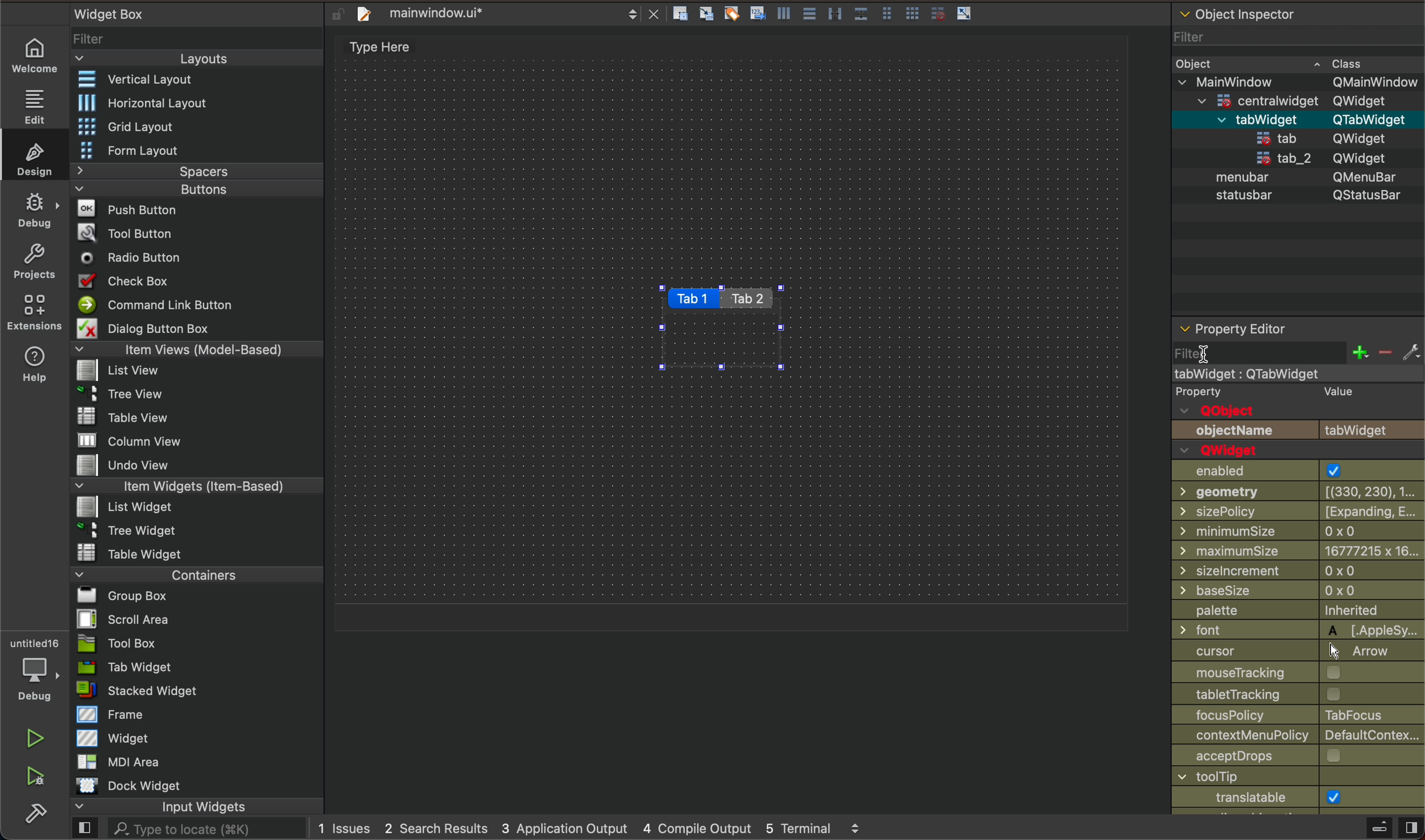  Describe the element at coordinates (125, 279) in the screenshot. I see `Check Box` at that location.